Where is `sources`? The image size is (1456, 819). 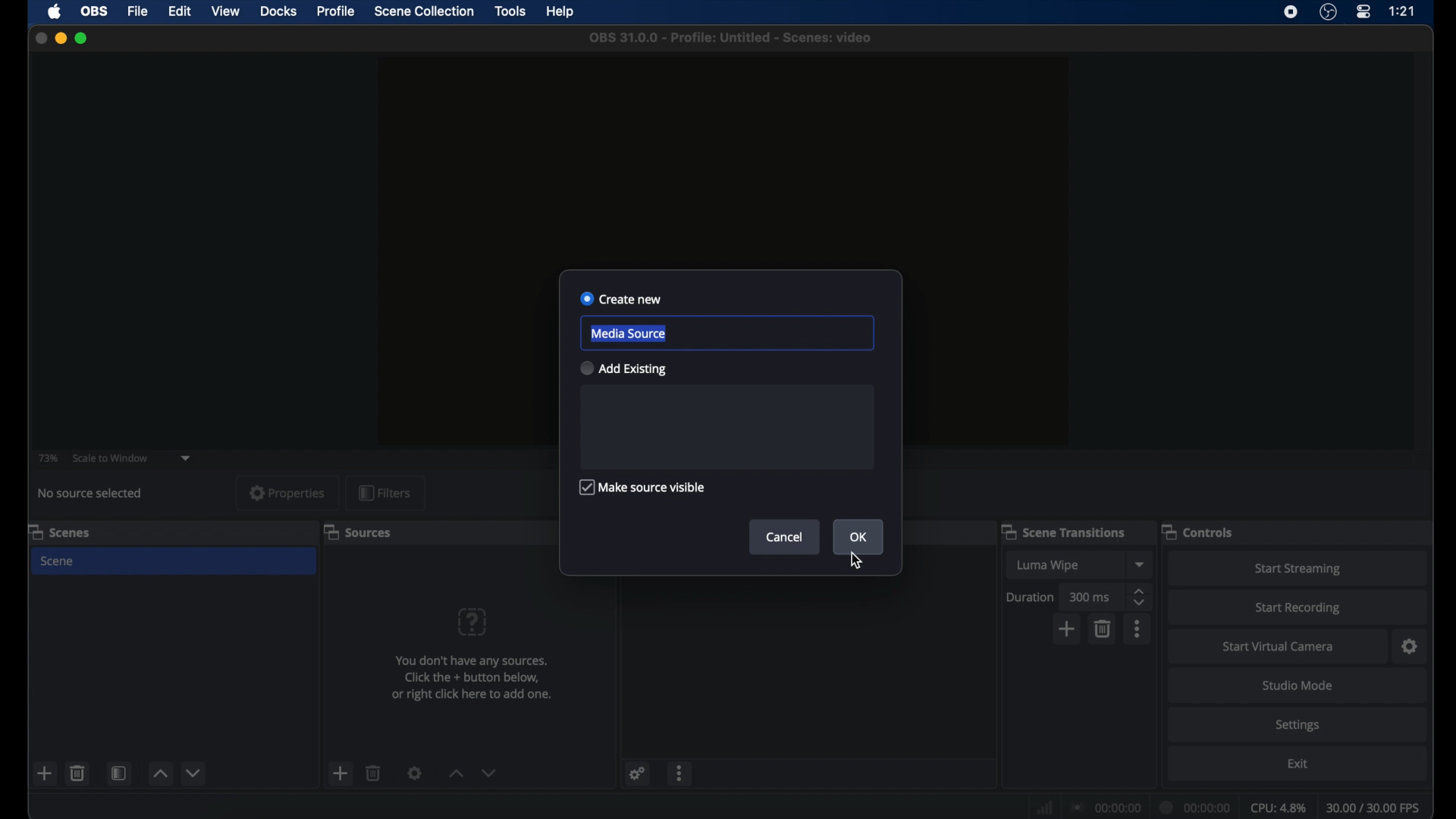
sources is located at coordinates (358, 532).